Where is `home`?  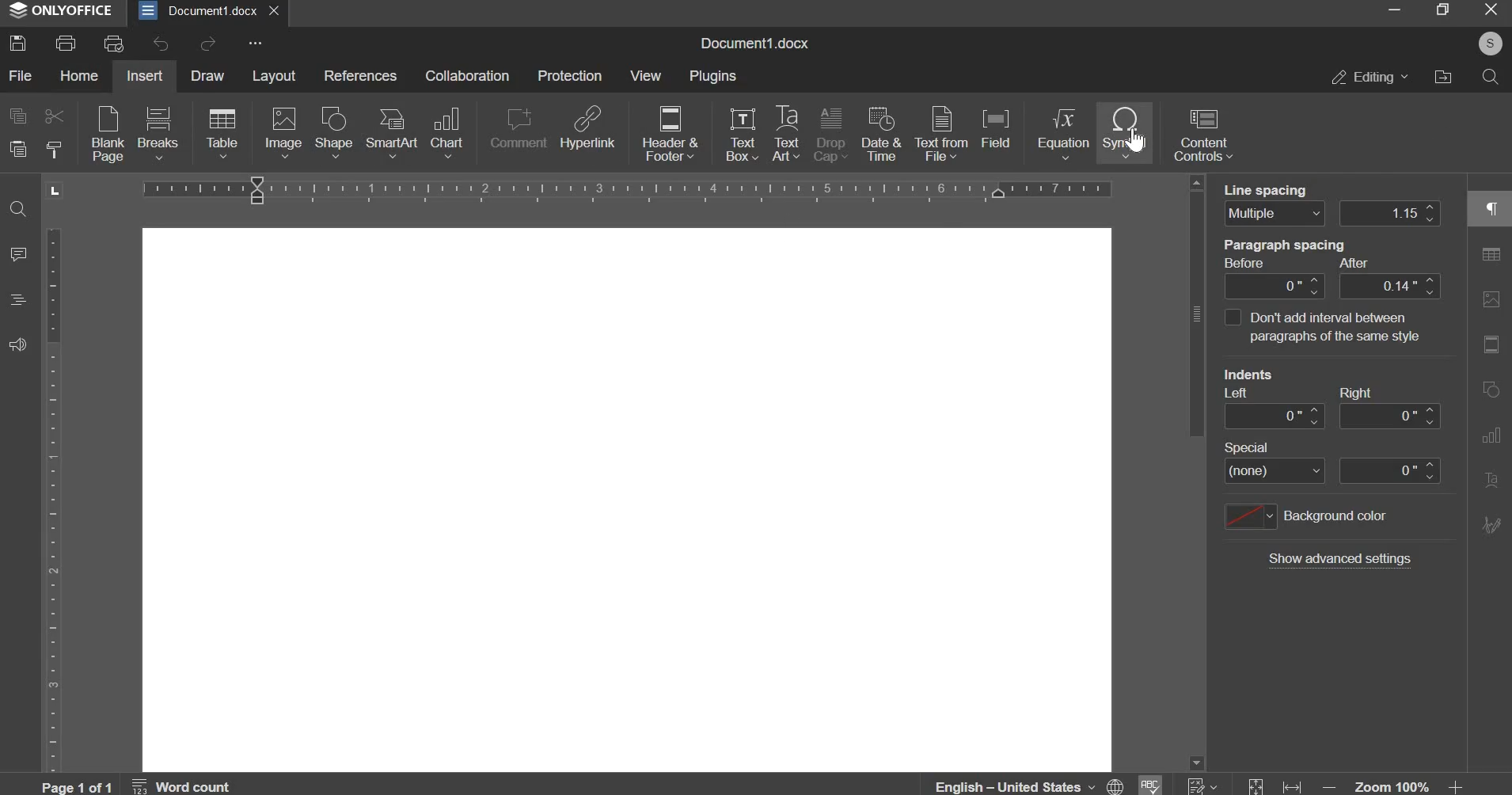 home is located at coordinates (78, 75).